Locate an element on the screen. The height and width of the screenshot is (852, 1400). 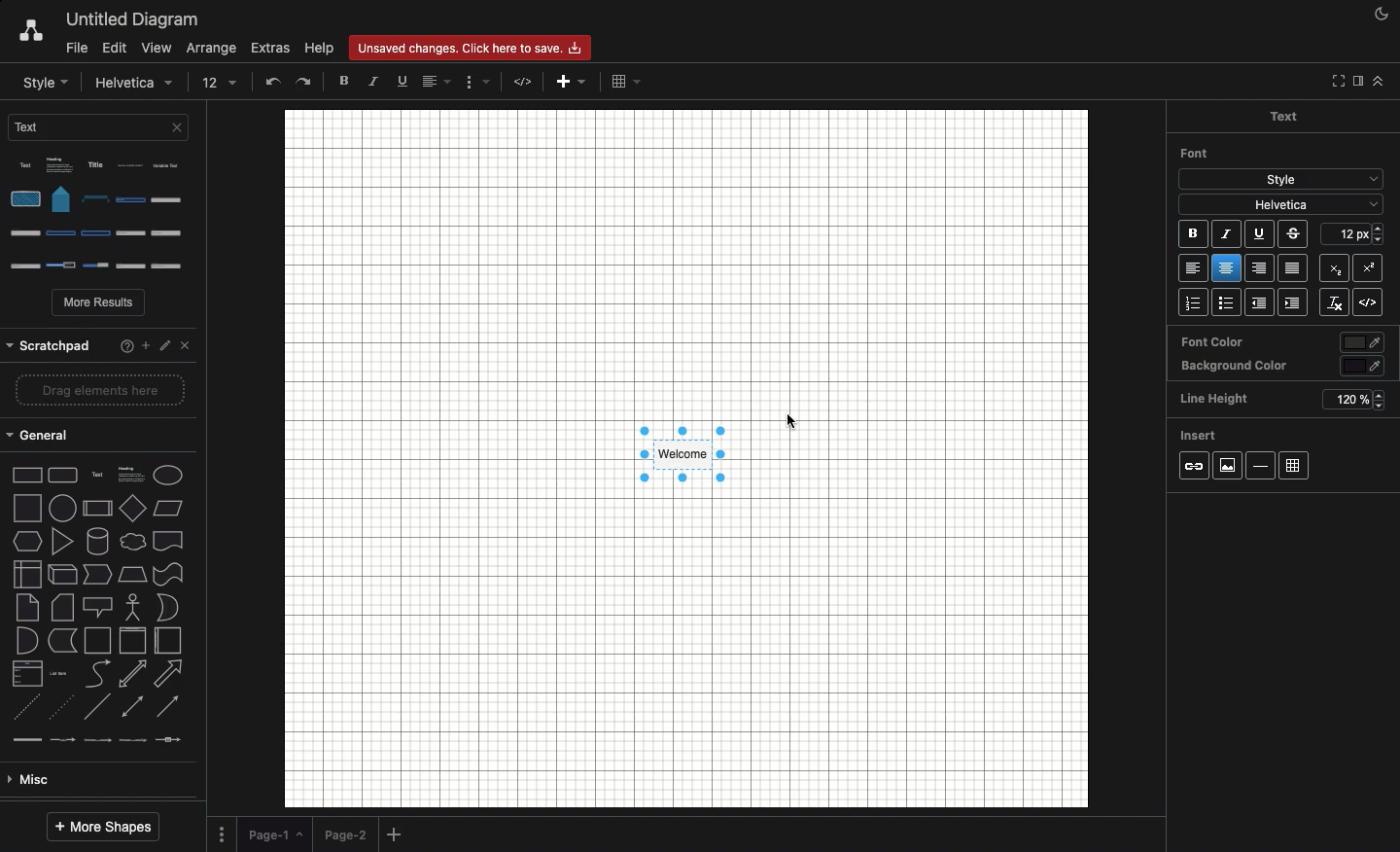
Help is located at coordinates (319, 49).